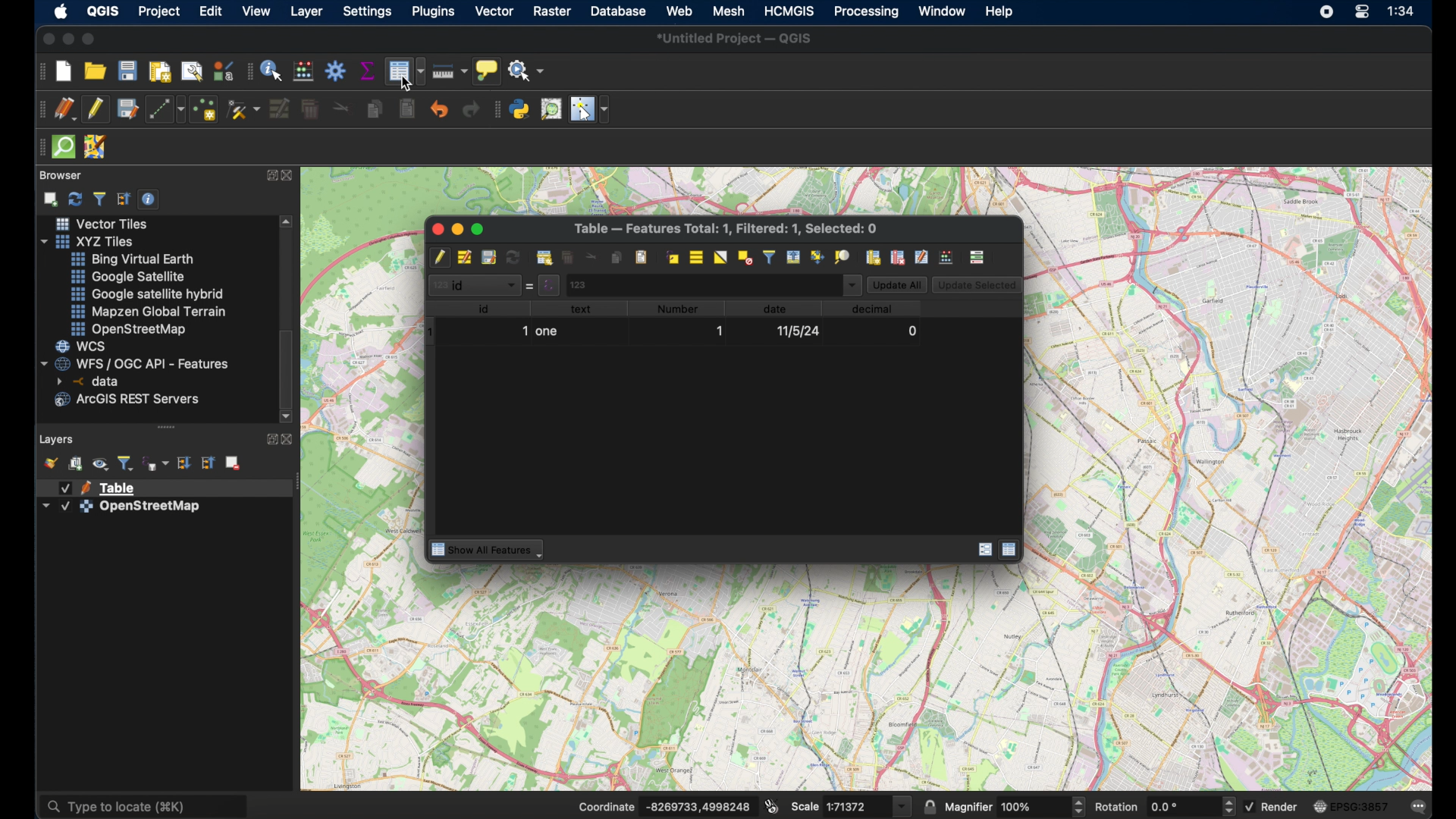 This screenshot has width=1456, height=819. What do you see at coordinates (84, 346) in the screenshot?
I see `wcs` at bounding box center [84, 346].